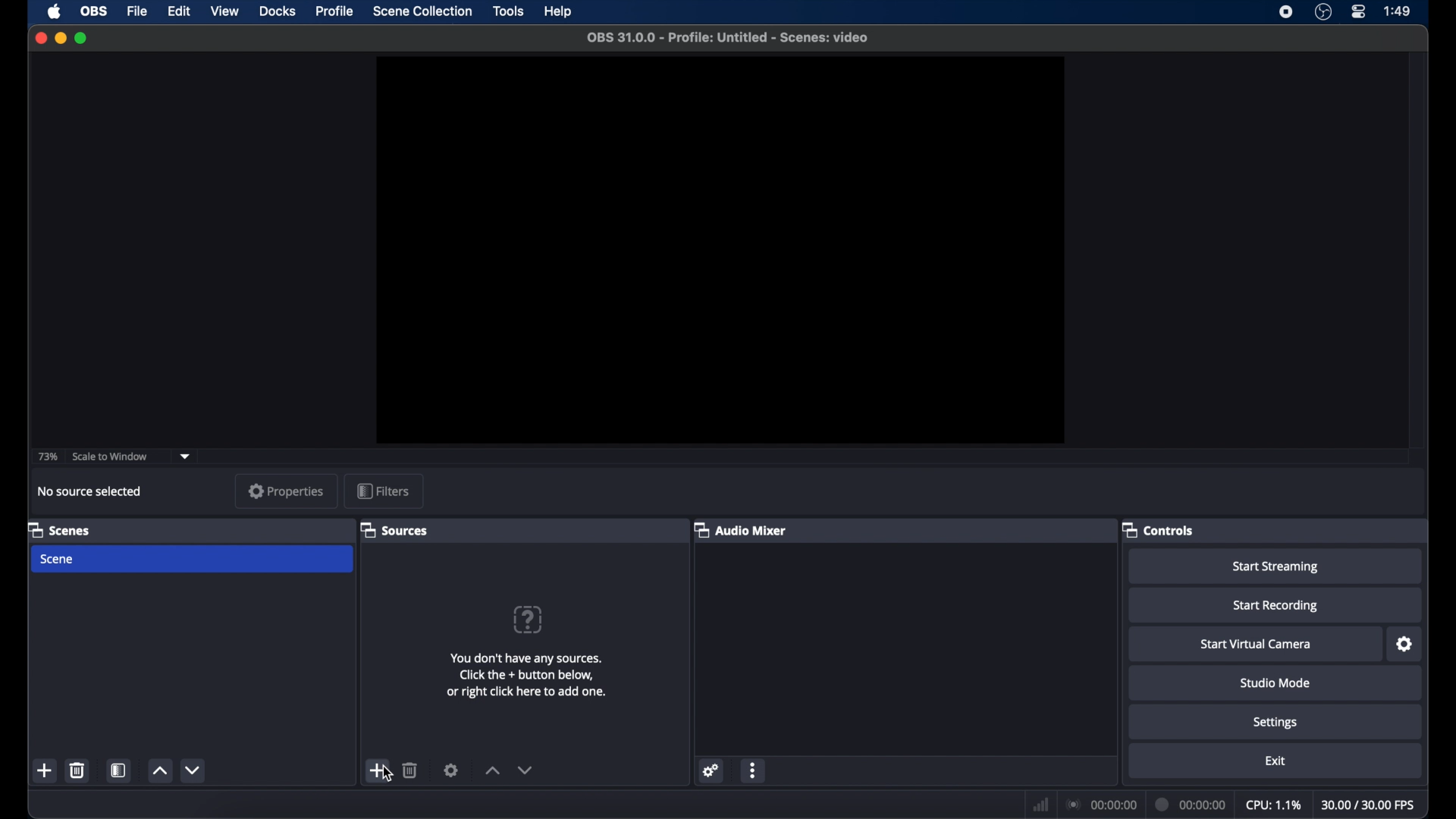 The height and width of the screenshot is (819, 1456). I want to click on scene filters, so click(119, 769).